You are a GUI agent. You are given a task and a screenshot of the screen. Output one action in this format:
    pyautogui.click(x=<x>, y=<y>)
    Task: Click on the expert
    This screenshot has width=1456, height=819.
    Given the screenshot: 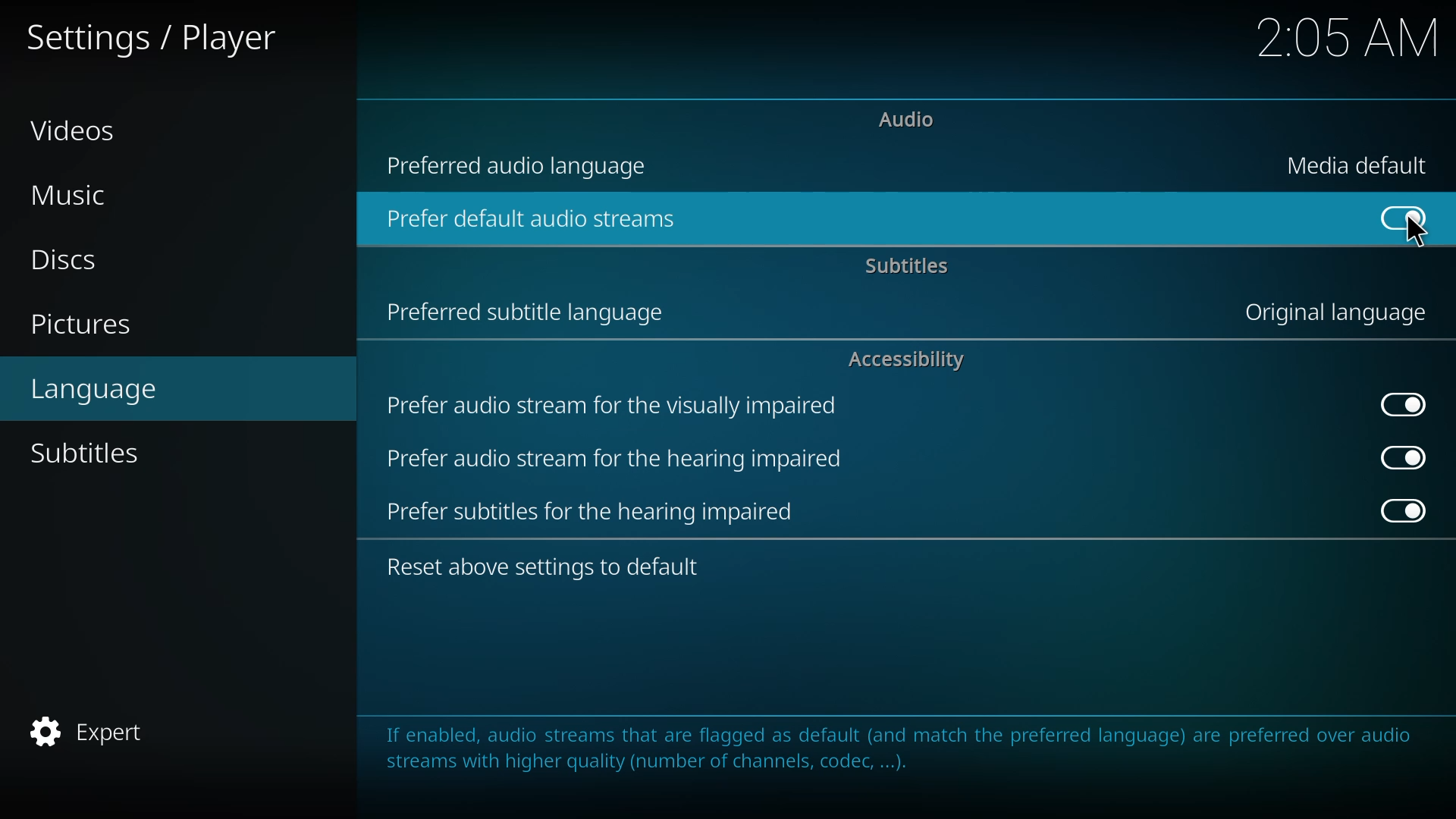 What is the action you would take?
    pyautogui.click(x=87, y=733)
    